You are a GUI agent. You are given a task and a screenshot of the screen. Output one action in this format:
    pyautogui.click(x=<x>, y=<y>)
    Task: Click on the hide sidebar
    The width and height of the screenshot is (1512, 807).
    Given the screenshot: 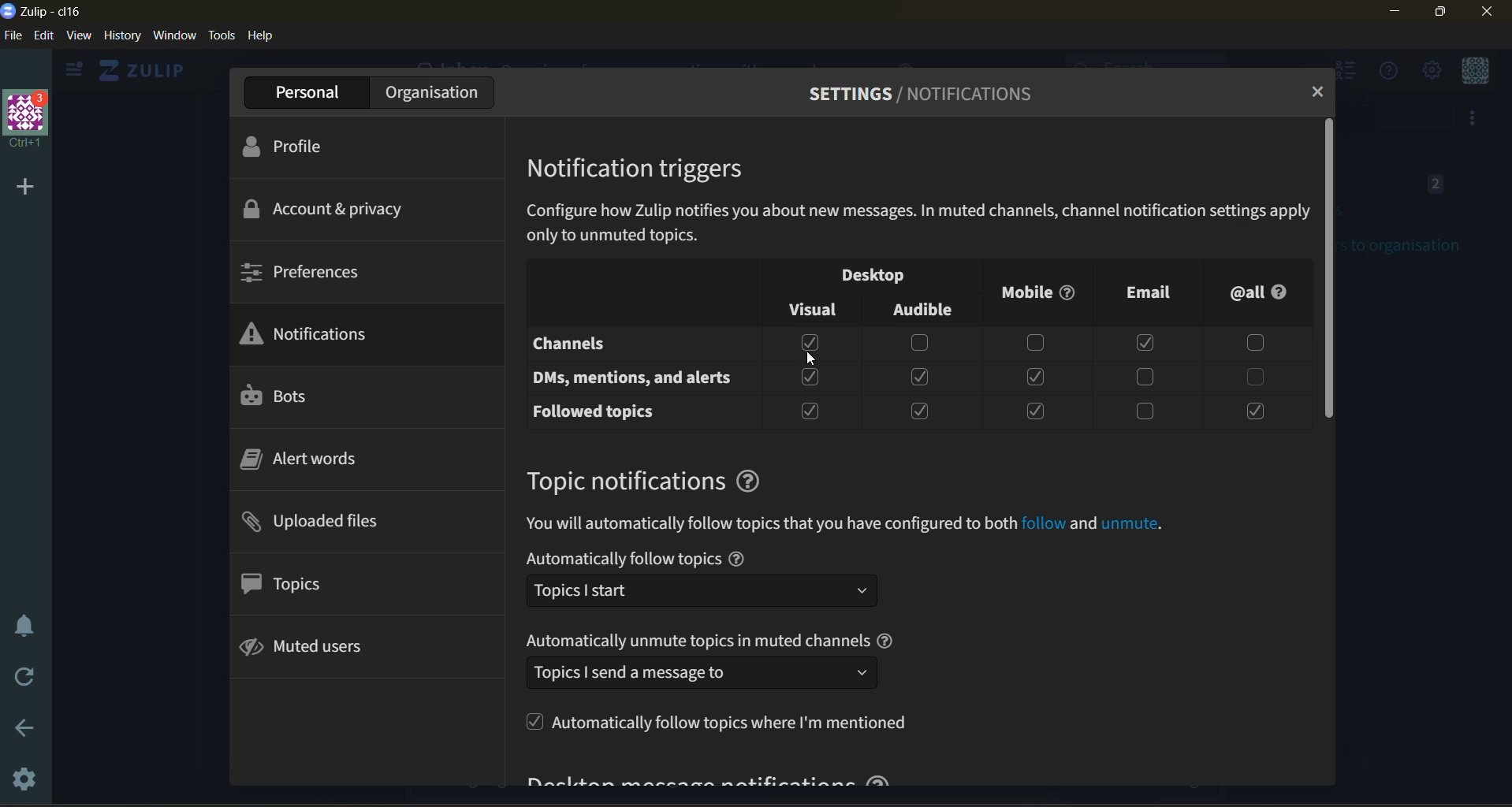 What is the action you would take?
    pyautogui.click(x=70, y=73)
    